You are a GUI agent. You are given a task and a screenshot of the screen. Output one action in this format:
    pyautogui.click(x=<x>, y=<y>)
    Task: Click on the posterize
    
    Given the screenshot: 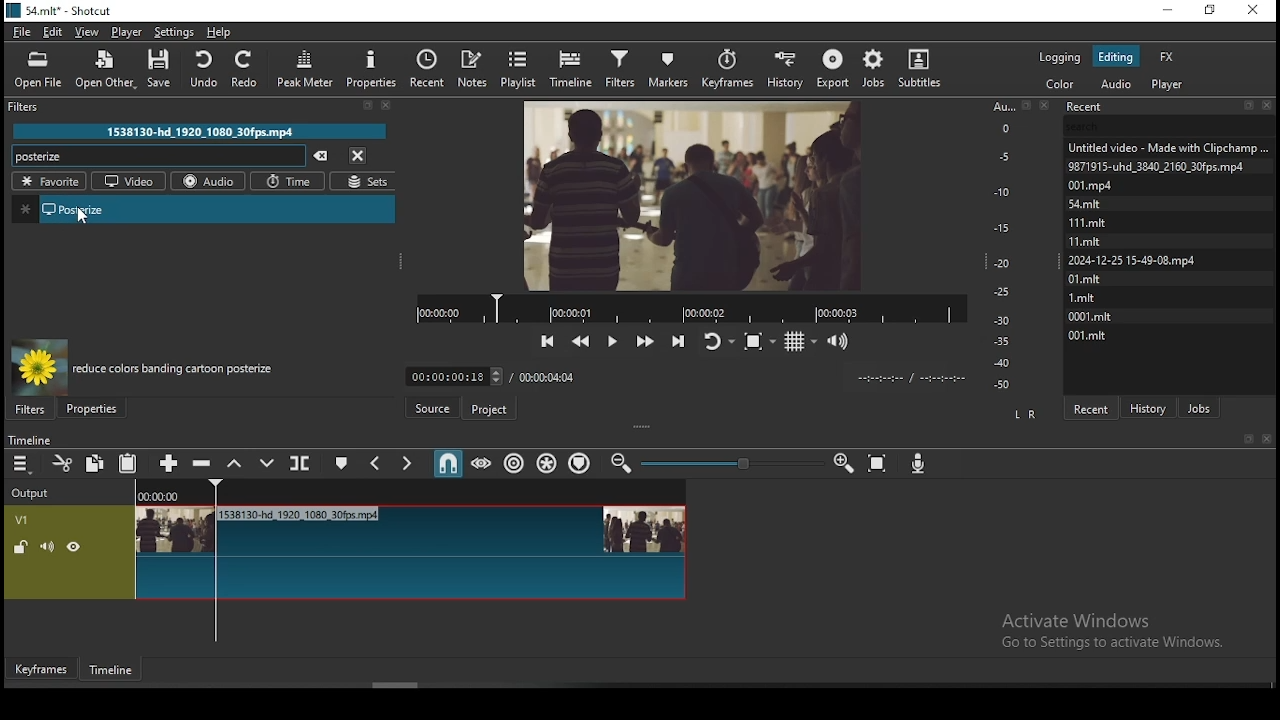 What is the action you would take?
    pyautogui.click(x=159, y=155)
    